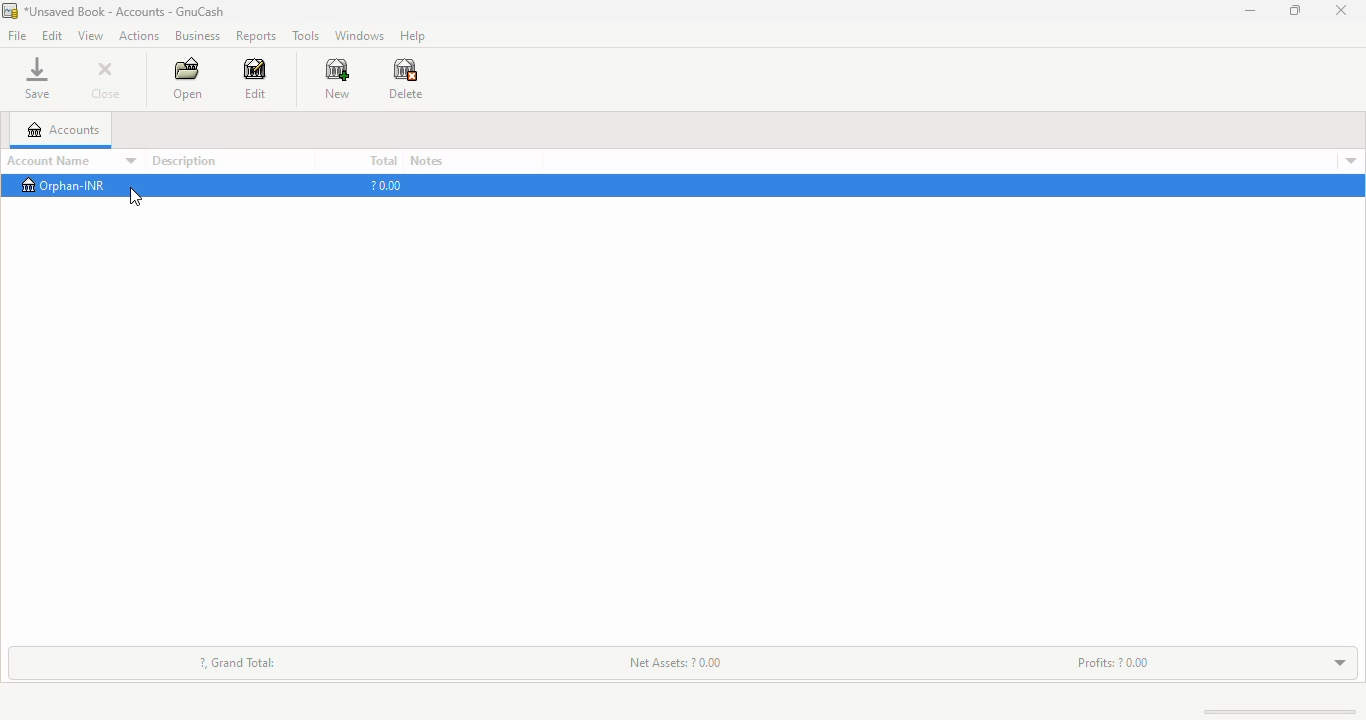  I want to click on delete, so click(406, 78).